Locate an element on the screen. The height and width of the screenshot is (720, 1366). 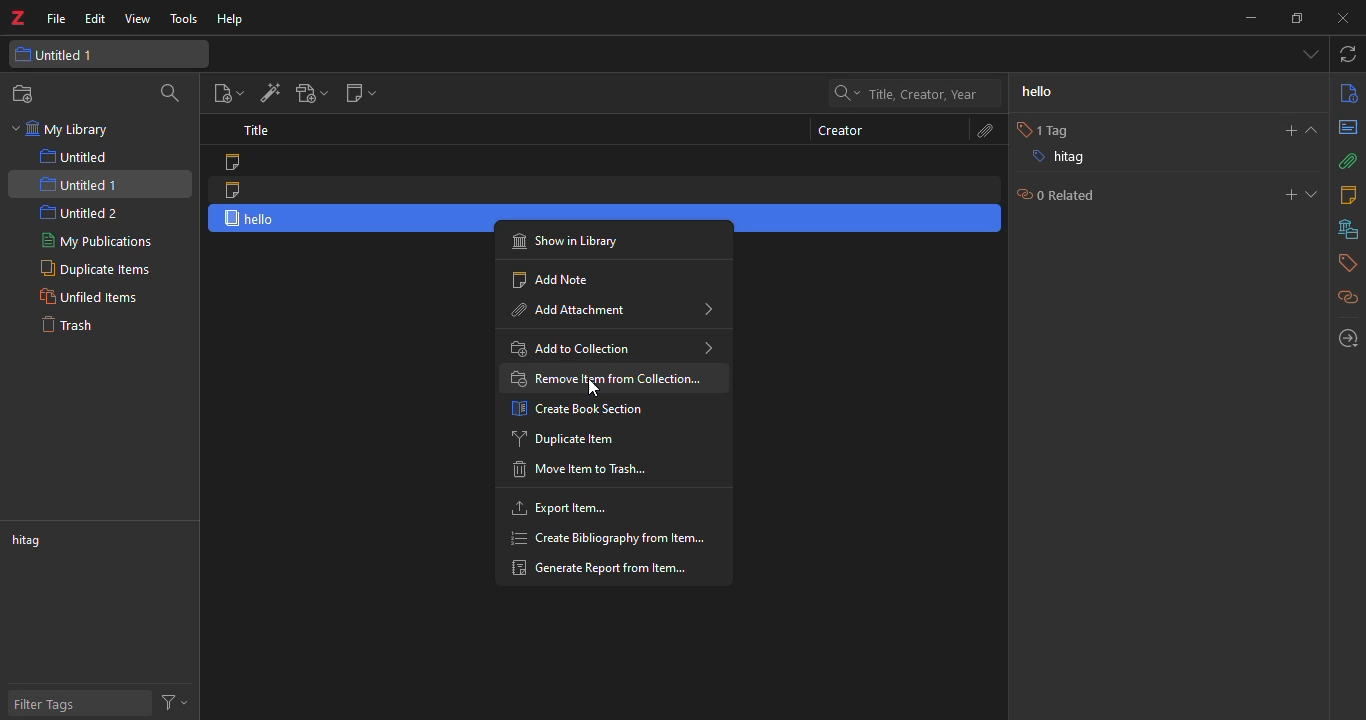
info is located at coordinates (1344, 93).